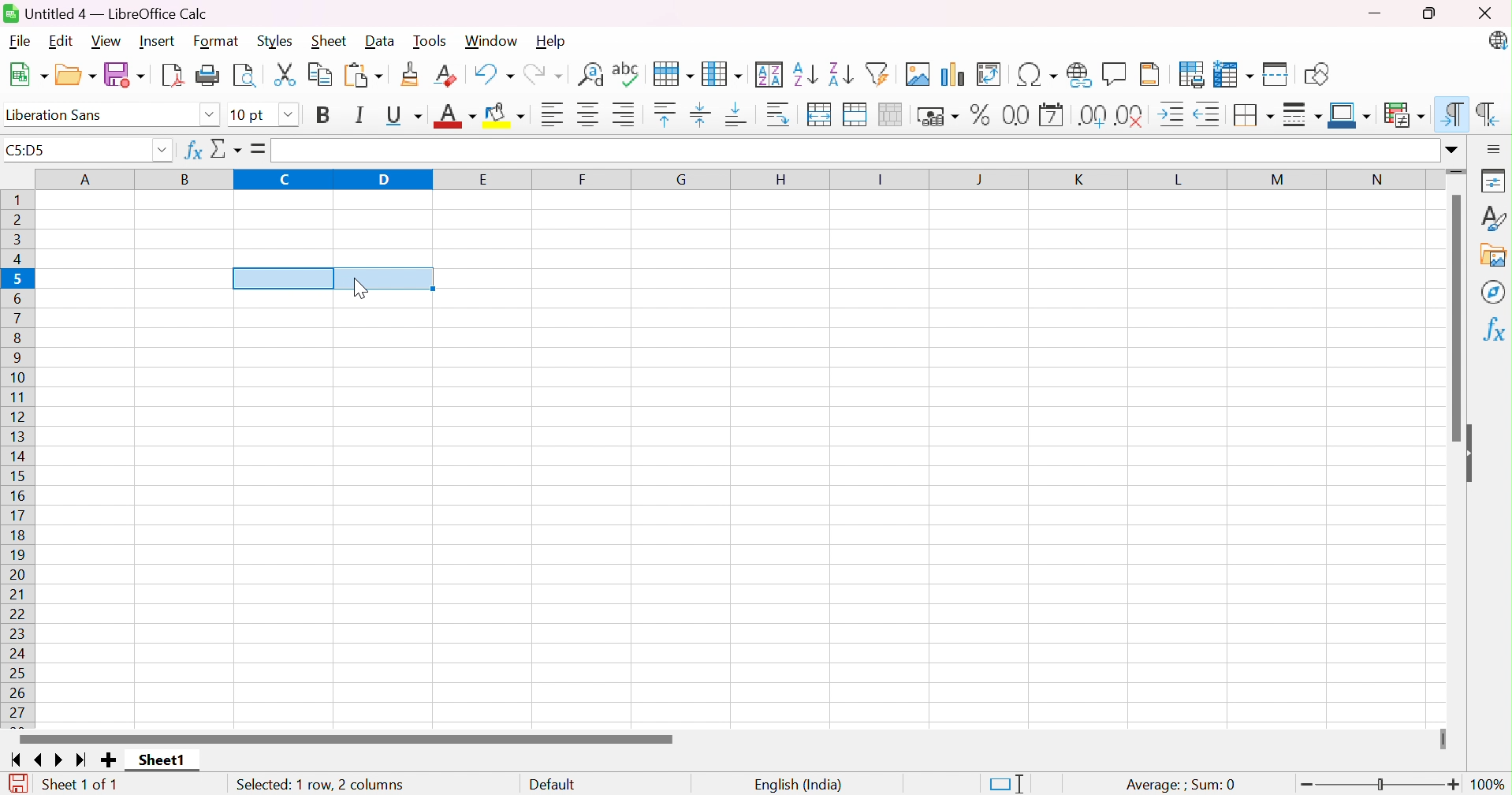 This screenshot has height=795, width=1512. Describe the element at coordinates (1494, 148) in the screenshot. I see `Sidebar Settings` at that location.